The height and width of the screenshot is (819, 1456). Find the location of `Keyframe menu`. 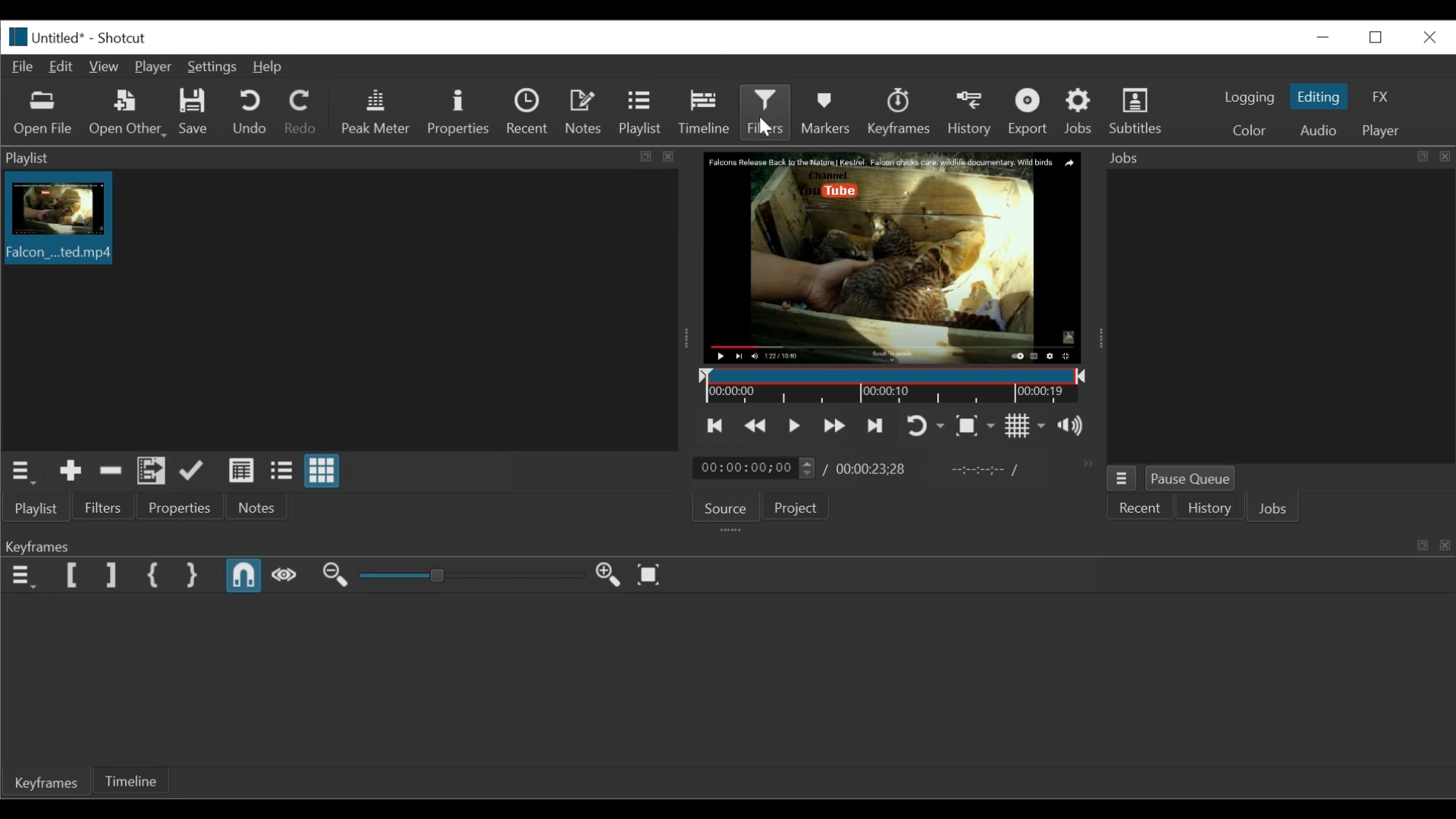

Keyframe menu is located at coordinates (23, 576).